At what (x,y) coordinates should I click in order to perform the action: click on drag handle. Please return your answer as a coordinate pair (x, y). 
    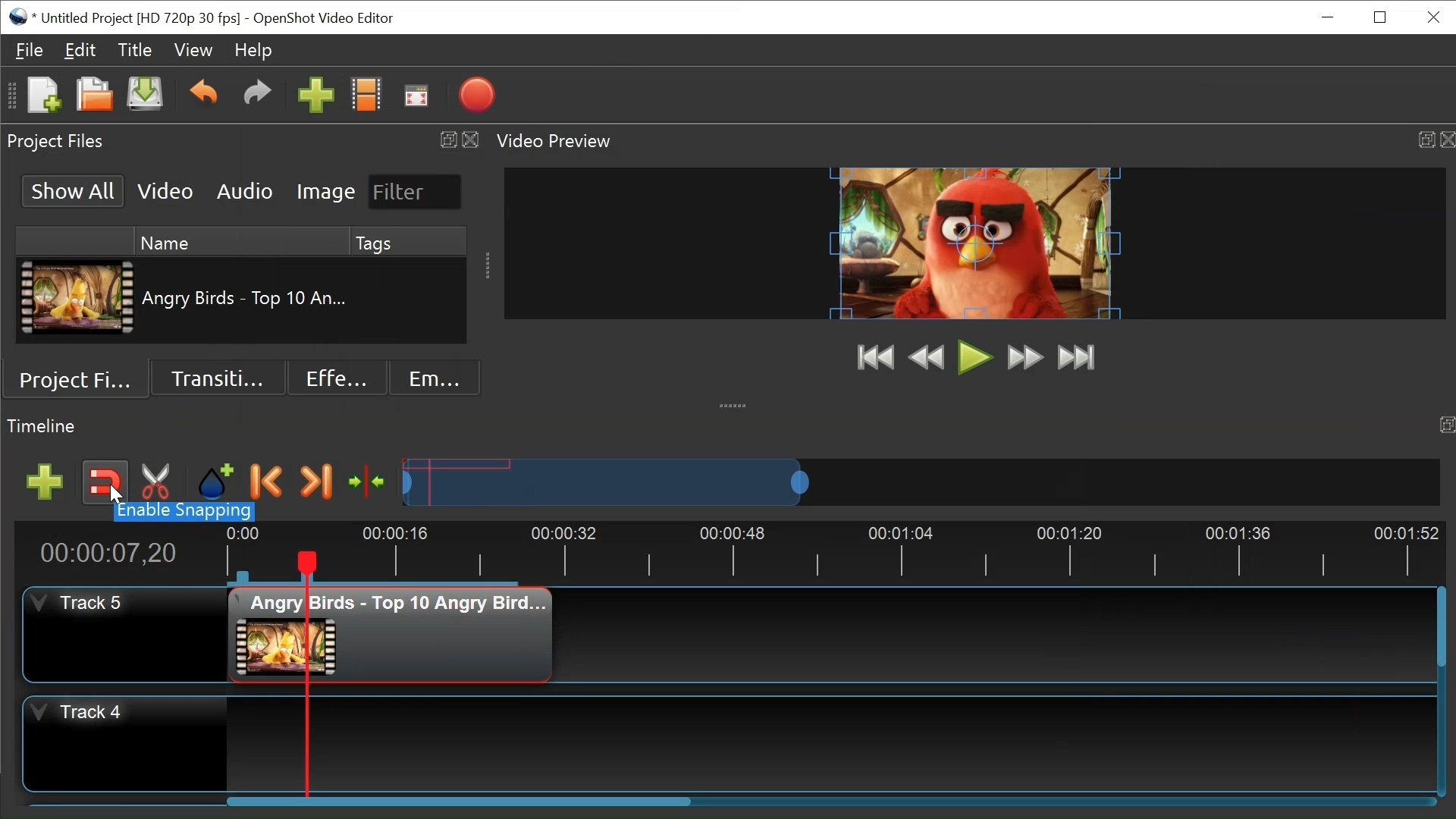
    Looking at the image, I should click on (735, 403).